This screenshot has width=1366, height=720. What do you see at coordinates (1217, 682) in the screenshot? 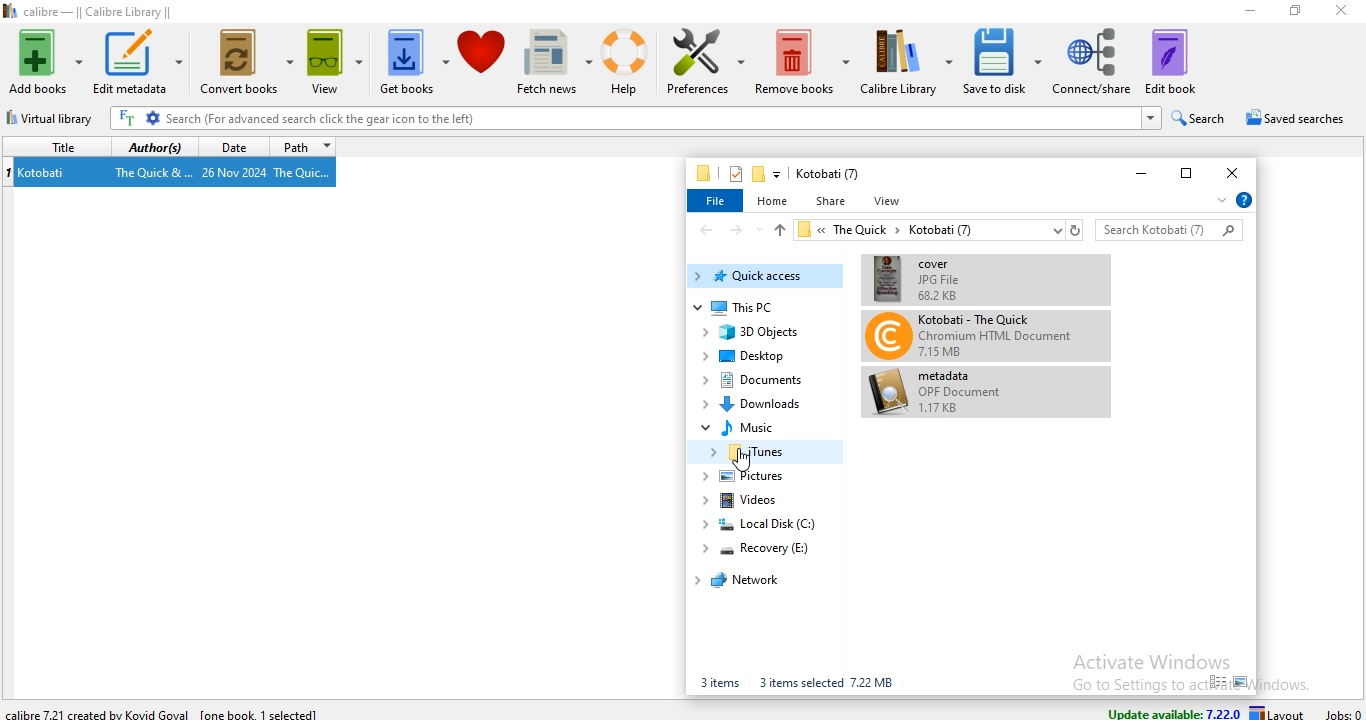
I see `small icon view` at bounding box center [1217, 682].